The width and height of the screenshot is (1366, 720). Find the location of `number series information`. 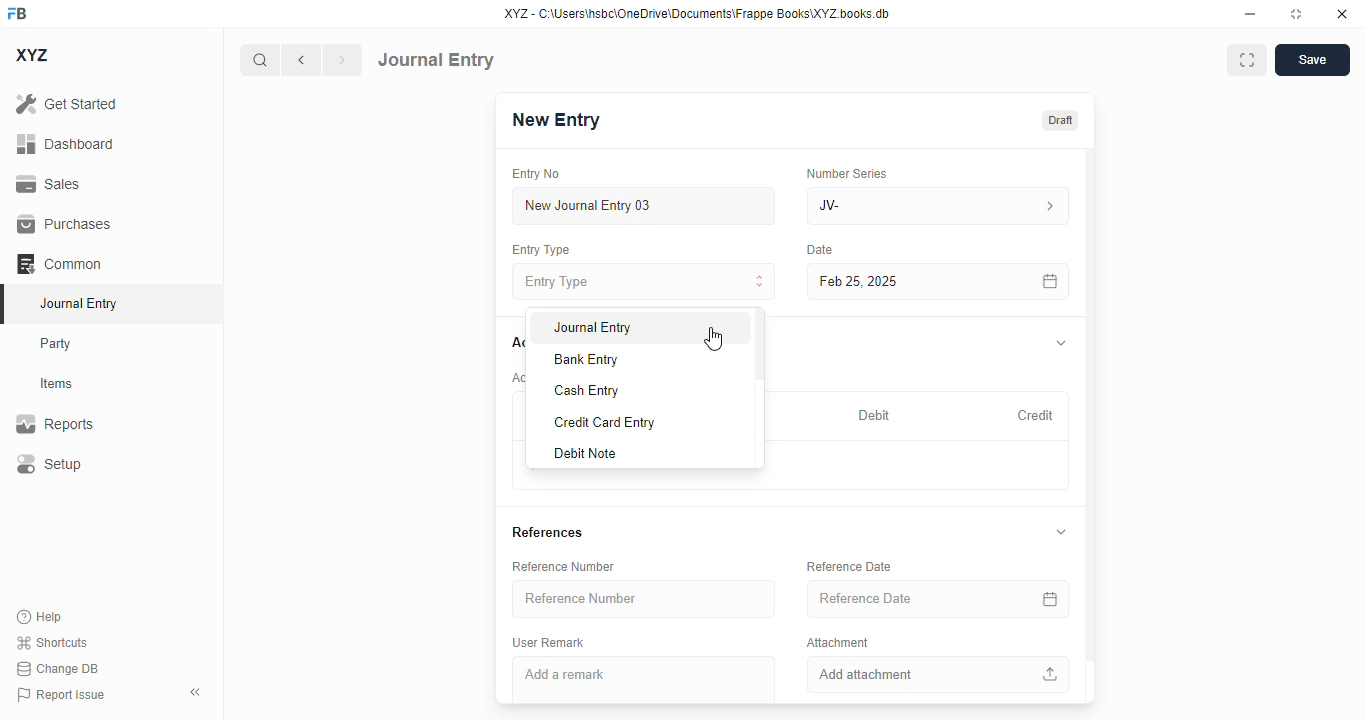

number series information is located at coordinates (1048, 207).